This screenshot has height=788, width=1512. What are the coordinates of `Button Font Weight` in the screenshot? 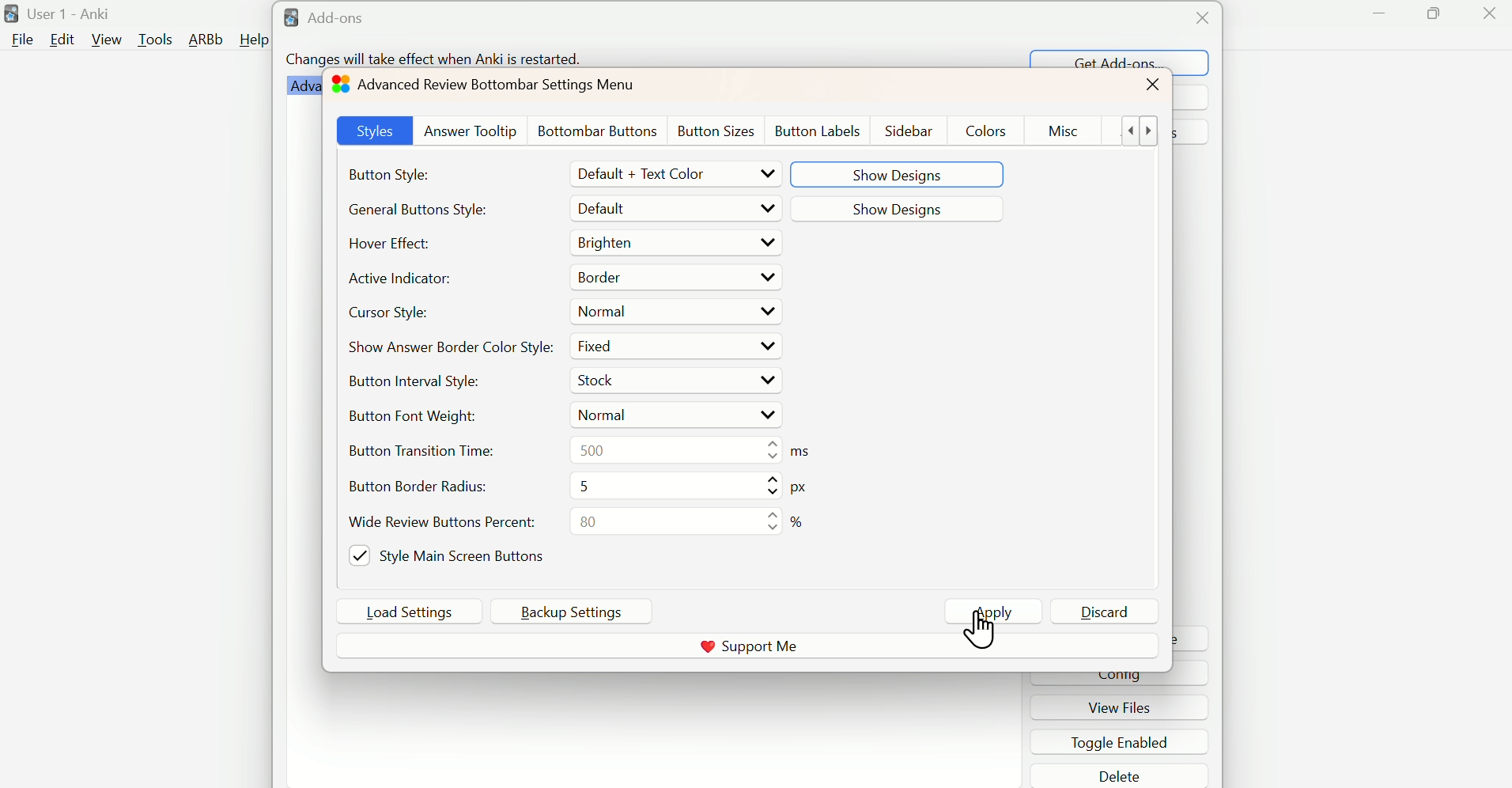 It's located at (418, 414).